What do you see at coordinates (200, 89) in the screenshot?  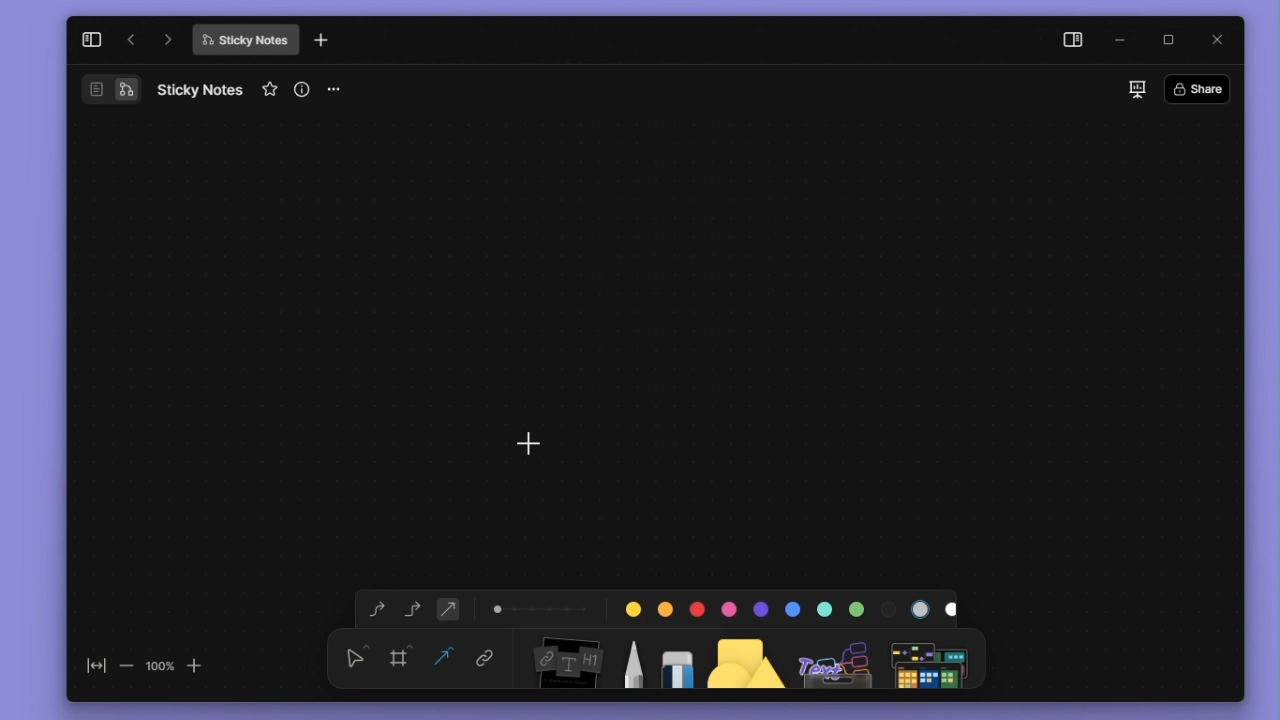 I see `file name` at bounding box center [200, 89].